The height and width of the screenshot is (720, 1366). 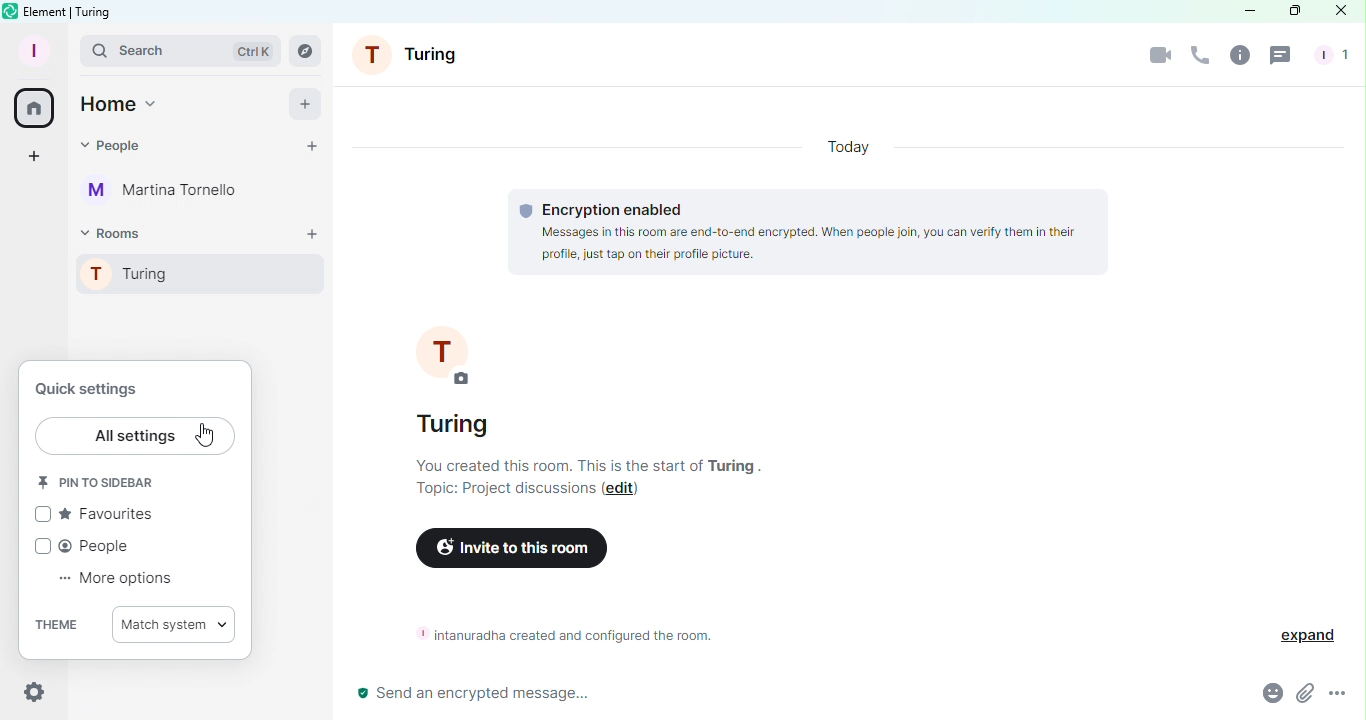 What do you see at coordinates (36, 108) in the screenshot?
I see `Home` at bounding box center [36, 108].